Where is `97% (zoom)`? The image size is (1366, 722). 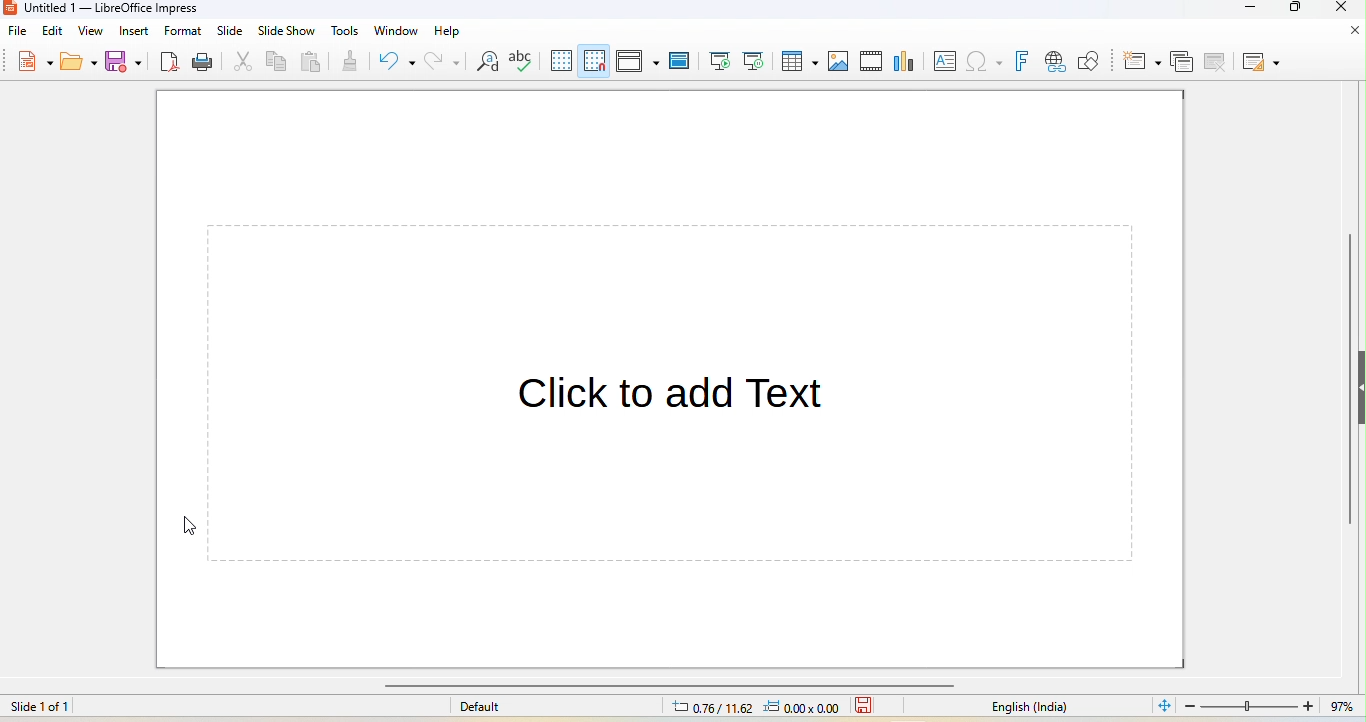
97% (zoom) is located at coordinates (1270, 707).